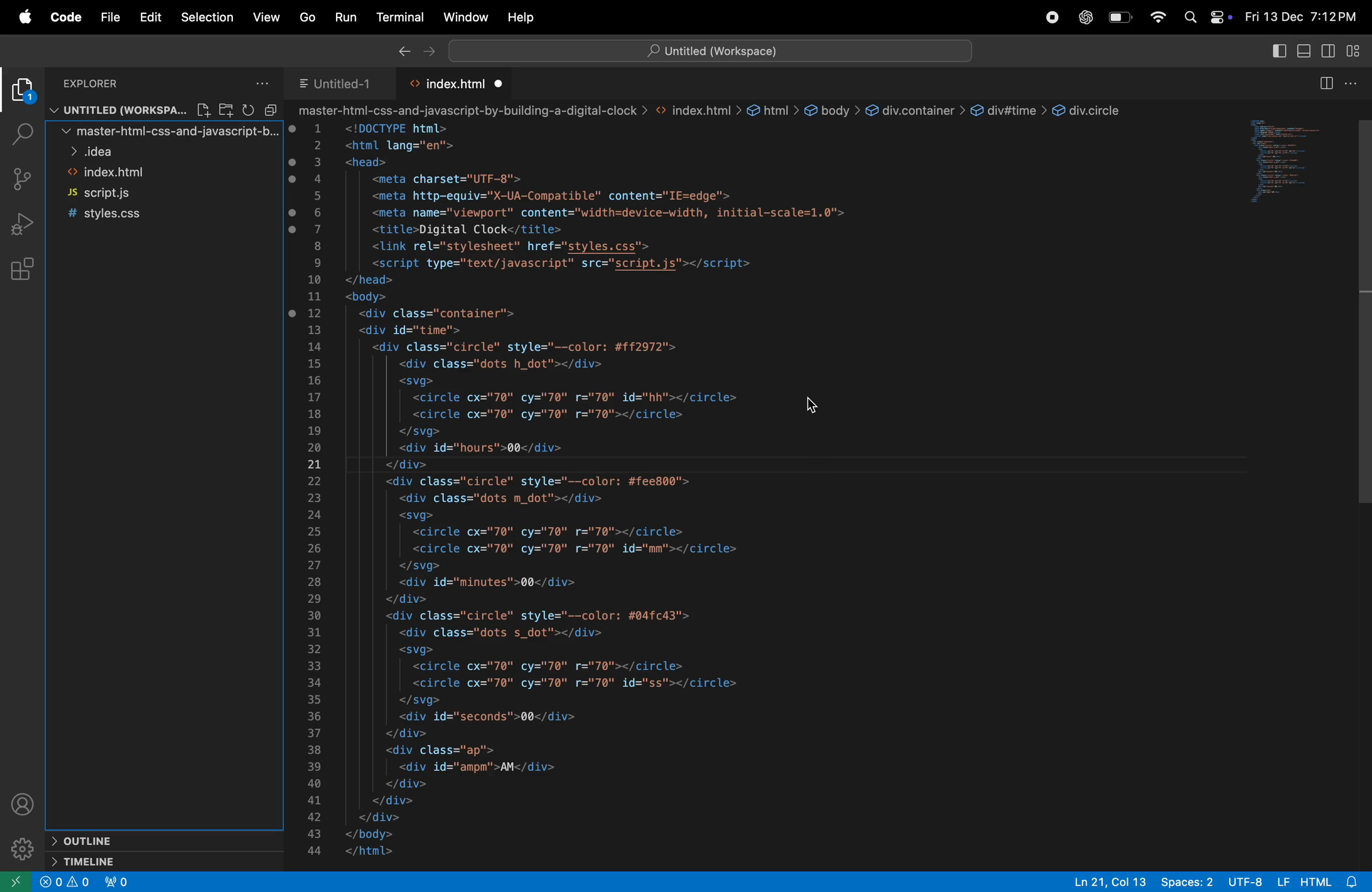 The width and height of the screenshot is (1372, 892). What do you see at coordinates (149, 213) in the screenshot?
I see `style.css` at bounding box center [149, 213].